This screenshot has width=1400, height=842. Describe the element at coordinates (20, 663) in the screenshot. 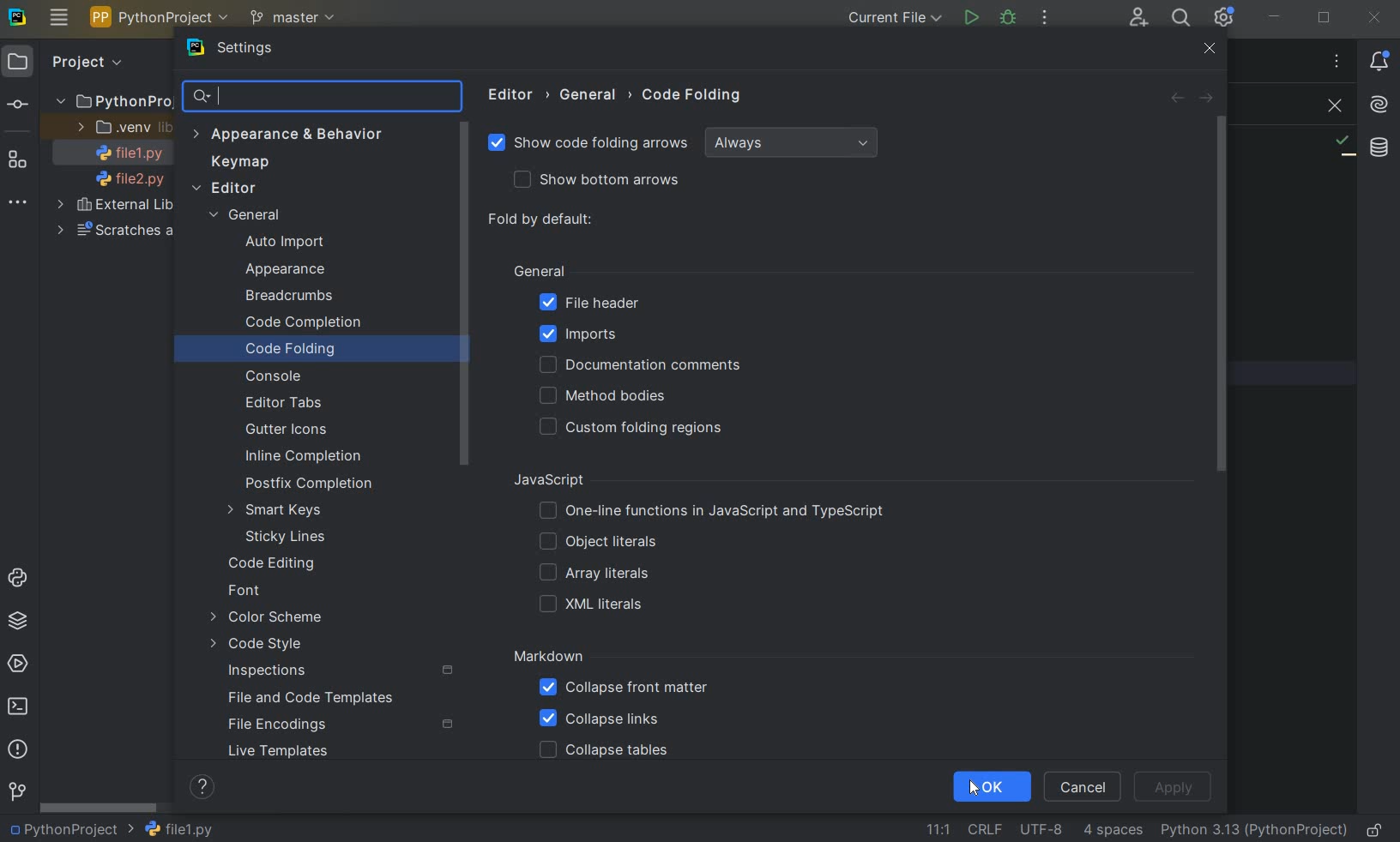

I see `SERVICES` at that location.